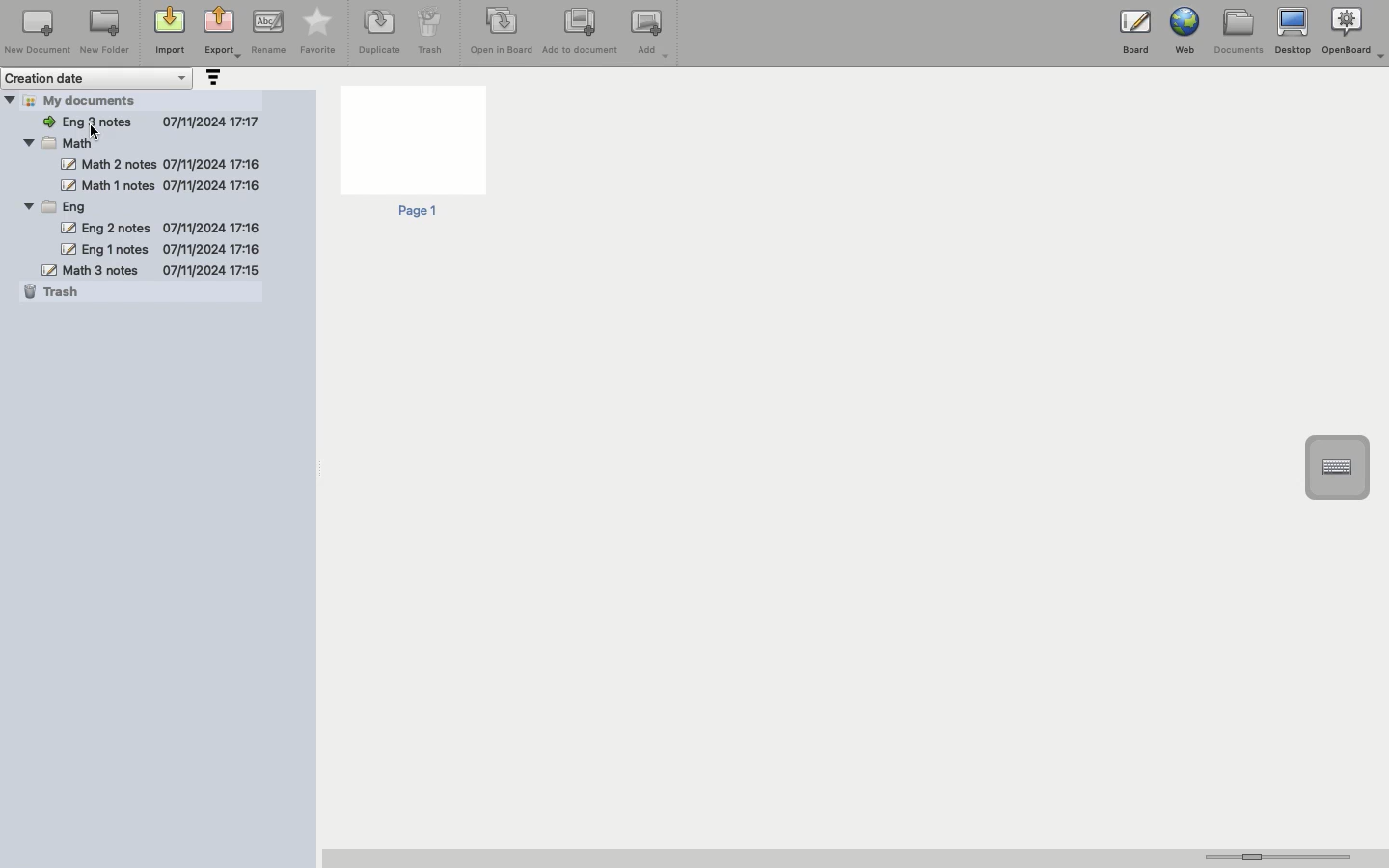 The image size is (1389, 868). I want to click on Creation date, so click(98, 78).